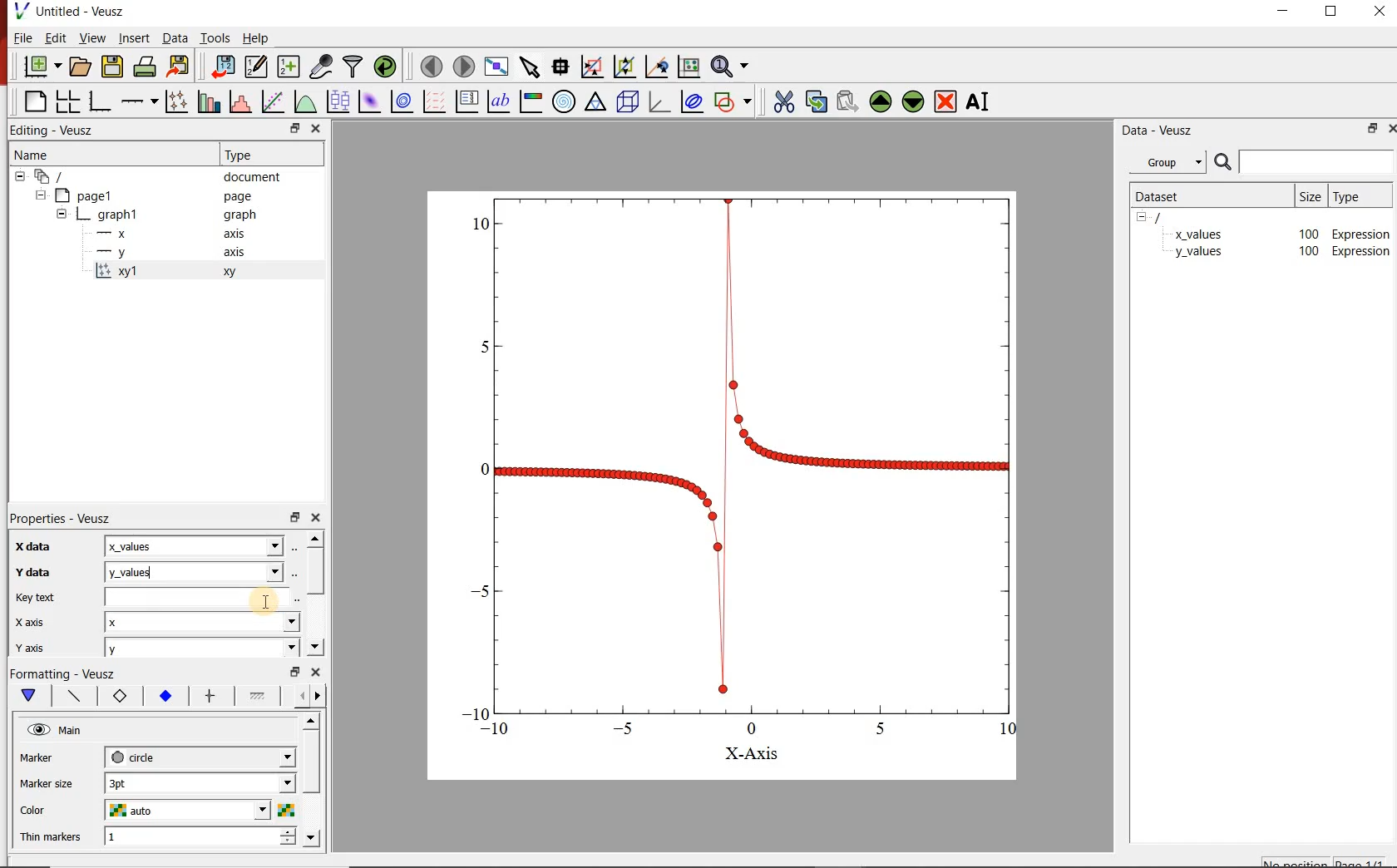 The height and width of the screenshot is (868, 1397). Describe the element at coordinates (465, 67) in the screenshot. I see `move to next page` at that location.